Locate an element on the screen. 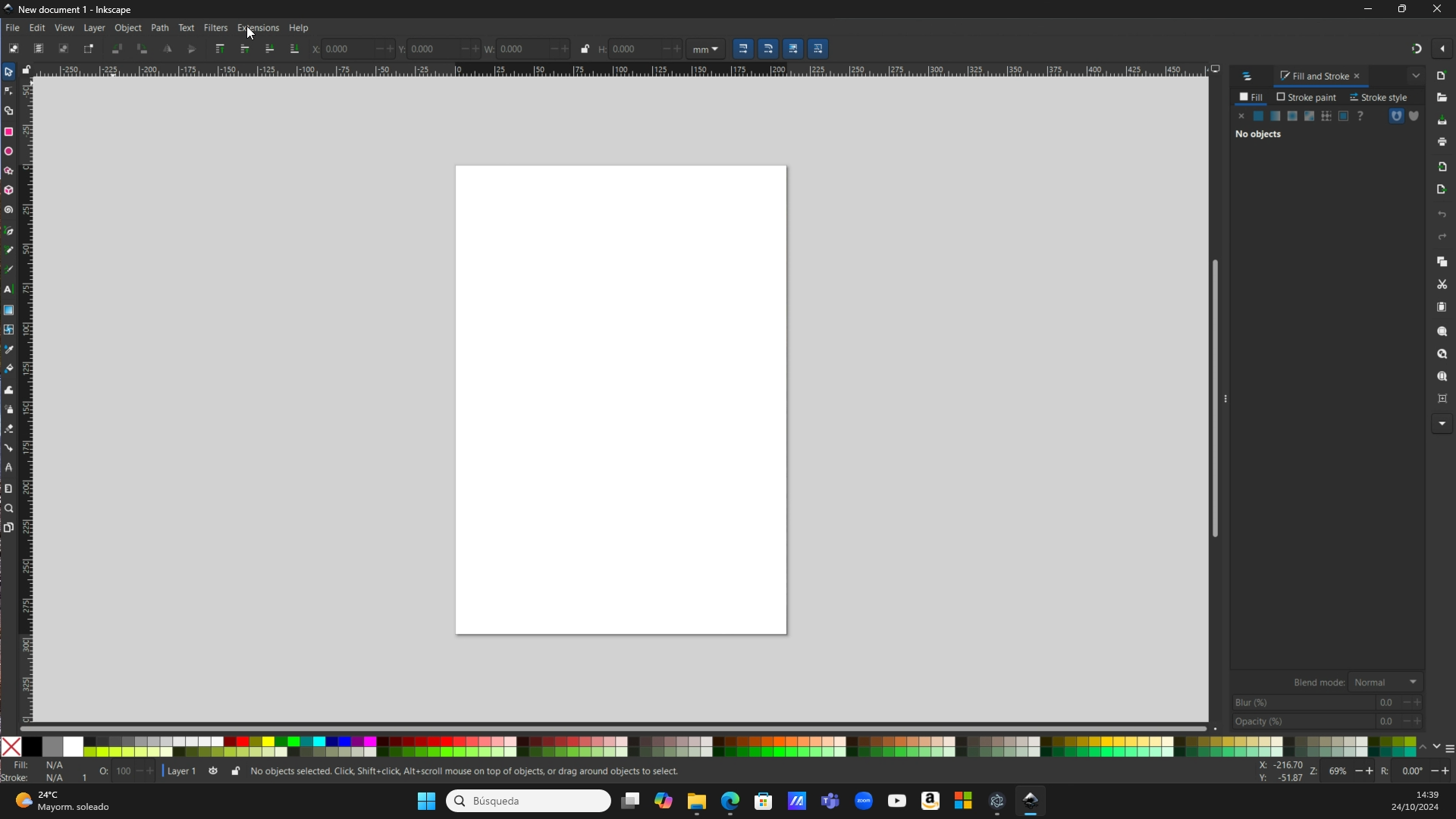 The image size is (1456, 819). Help is located at coordinates (303, 27).